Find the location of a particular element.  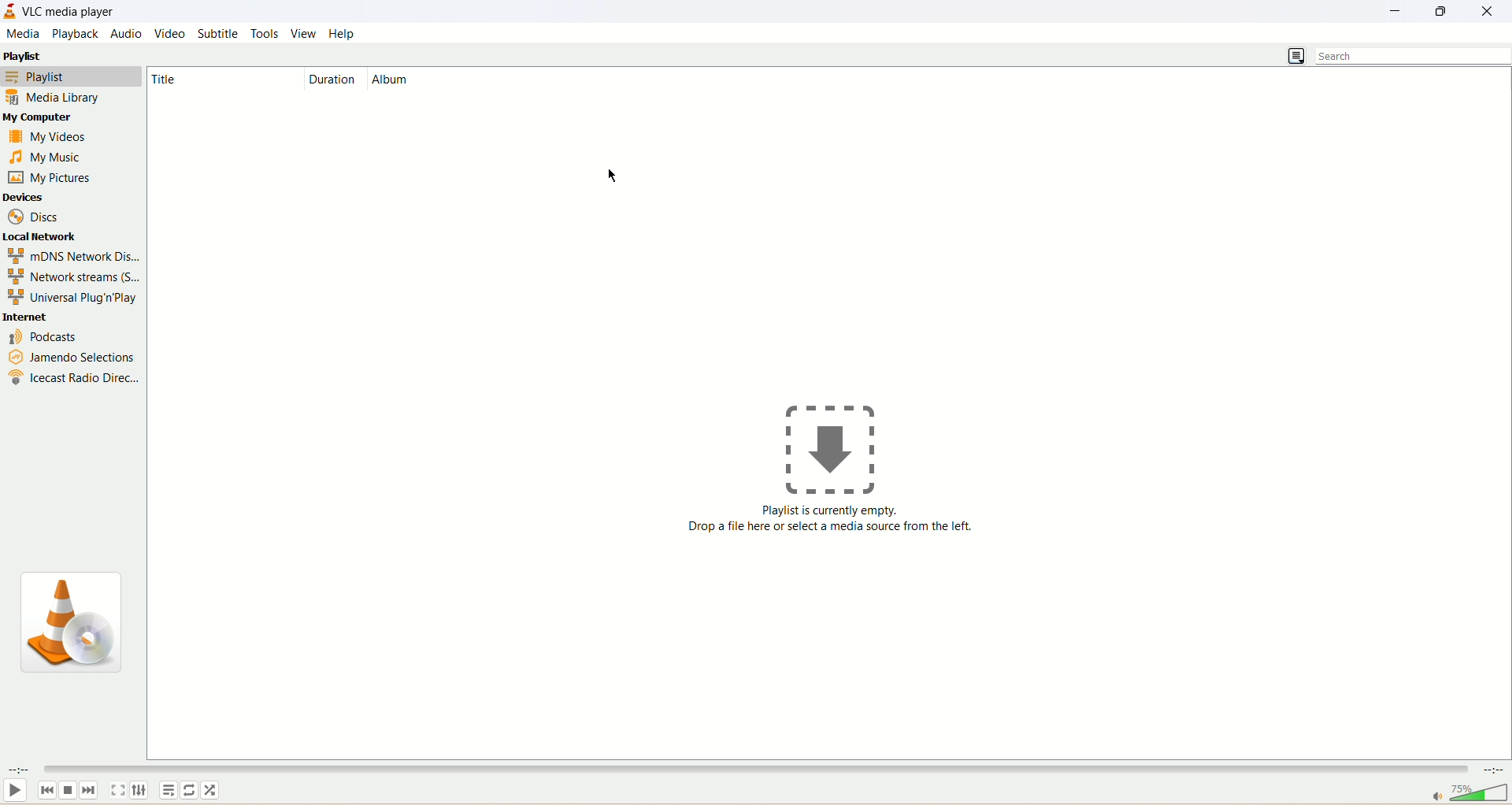

help is located at coordinates (343, 35).